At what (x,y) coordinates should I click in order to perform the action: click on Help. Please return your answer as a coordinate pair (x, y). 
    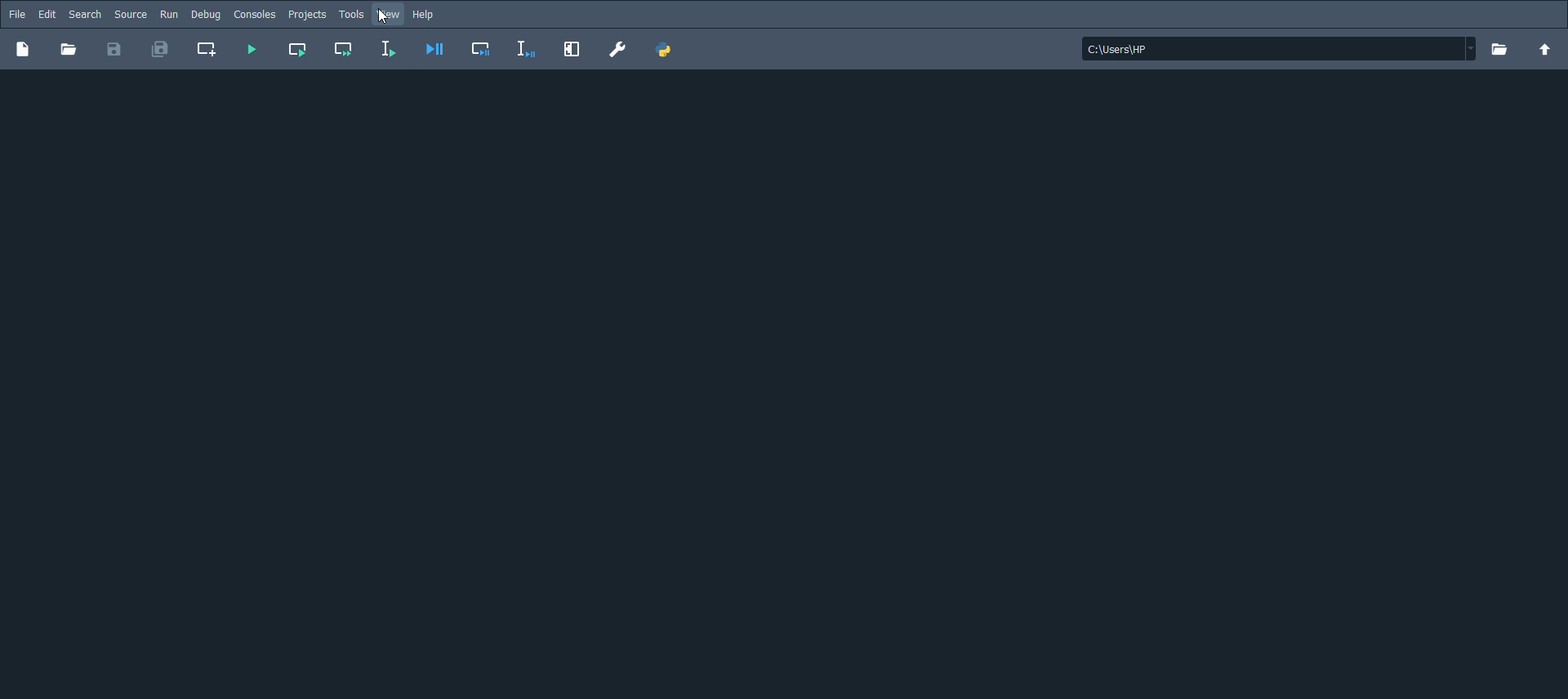
    Looking at the image, I should click on (428, 16).